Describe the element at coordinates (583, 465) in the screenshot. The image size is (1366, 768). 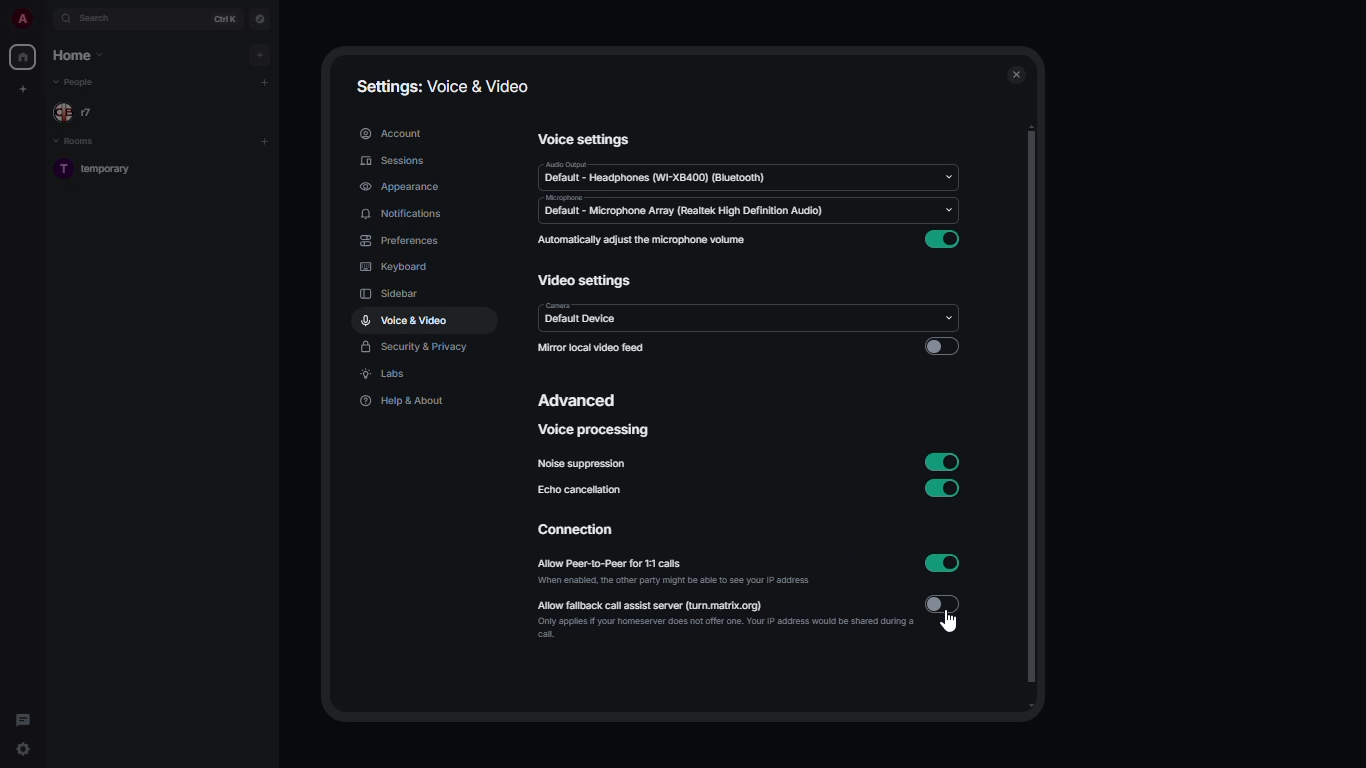
I see `noise suppression` at that location.